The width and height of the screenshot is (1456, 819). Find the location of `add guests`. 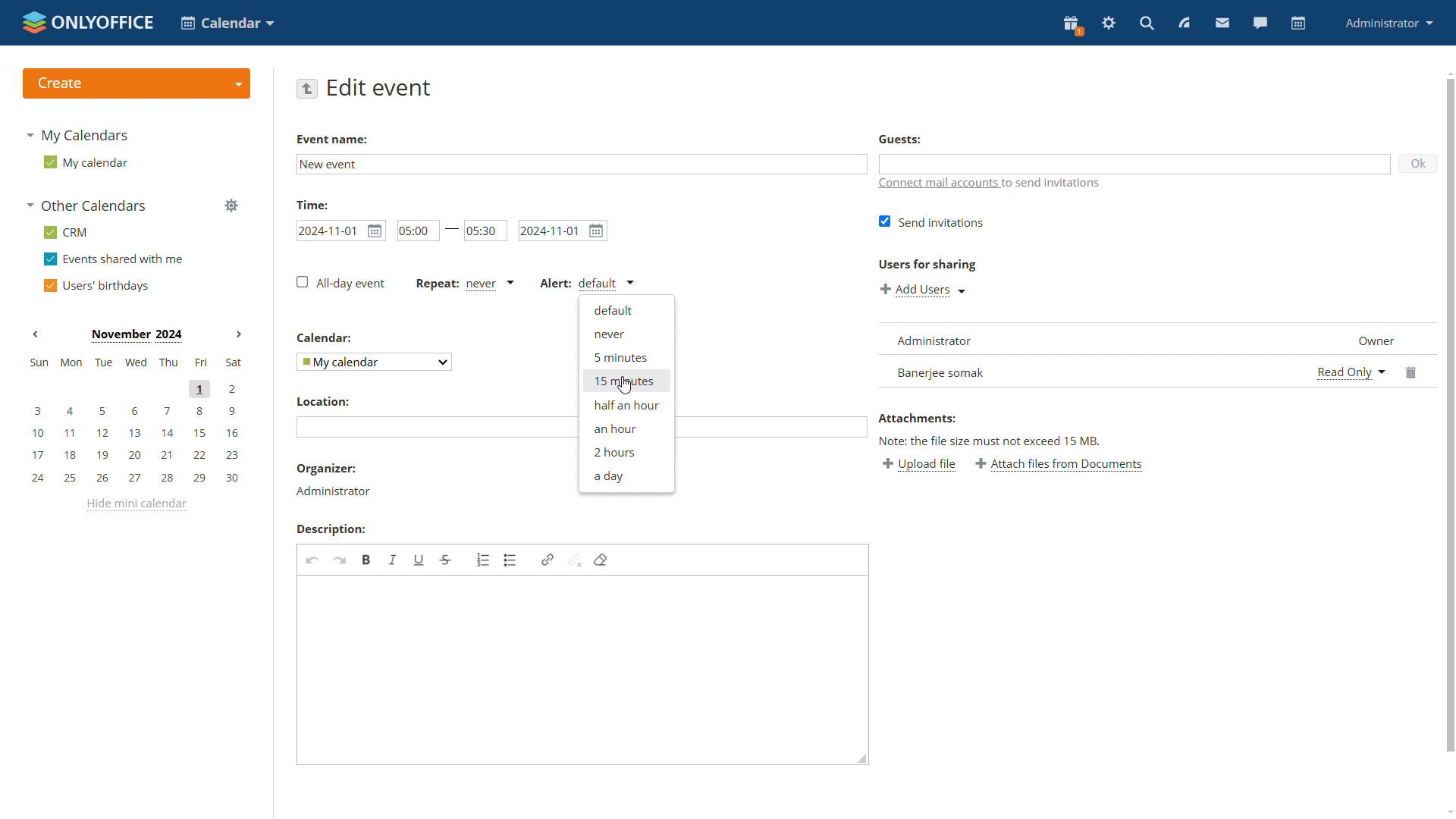

add guests is located at coordinates (1135, 163).